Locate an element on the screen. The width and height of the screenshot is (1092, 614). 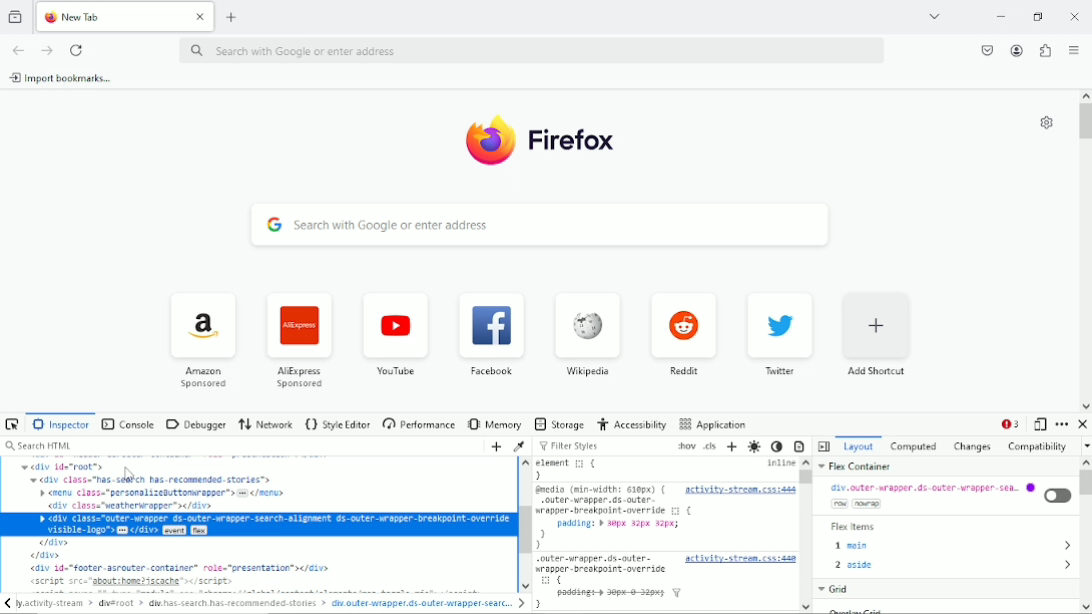
Search with google or enter address is located at coordinates (539, 225).